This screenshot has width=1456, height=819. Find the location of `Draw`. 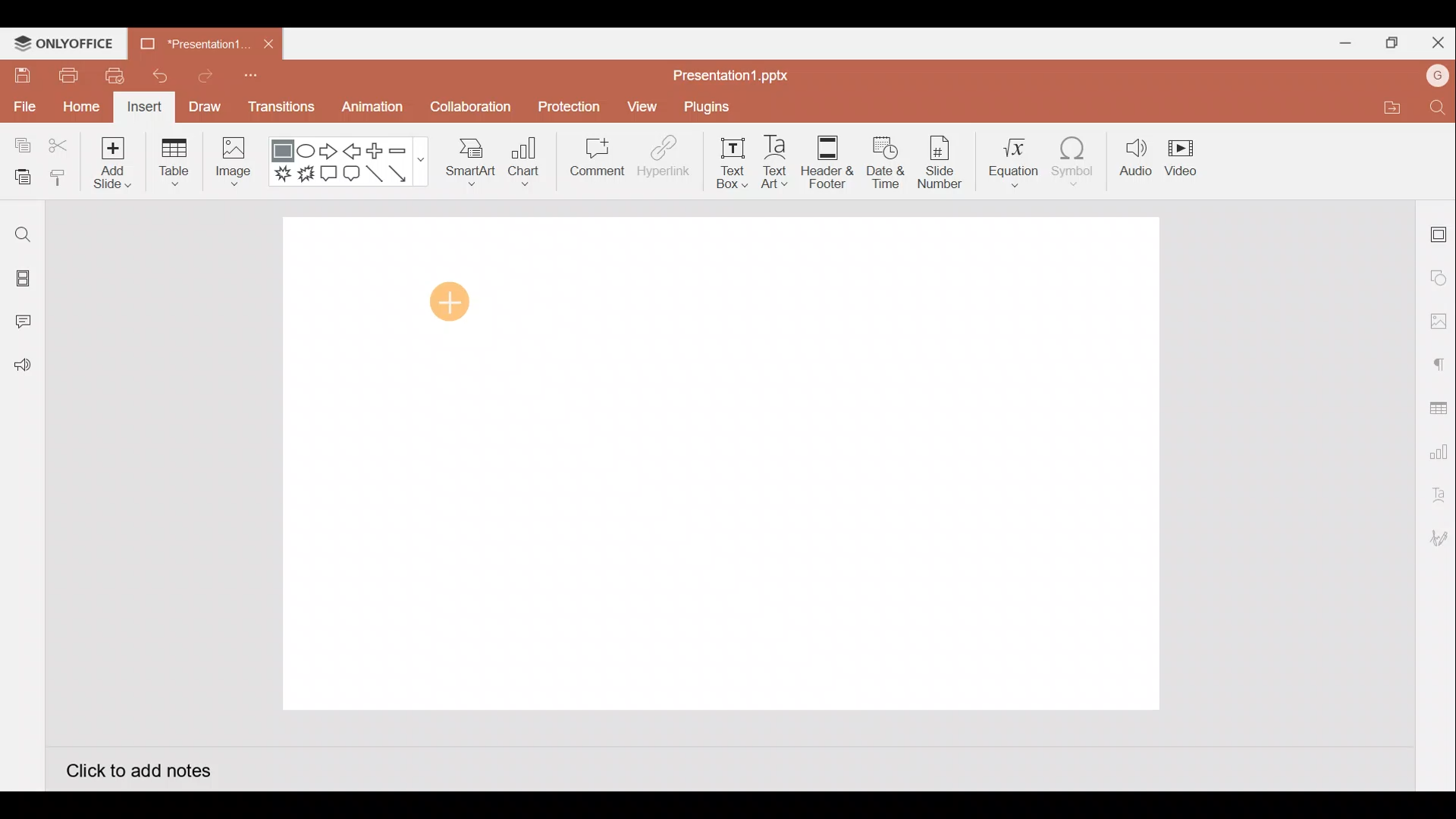

Draw is located at coordinates (204, 106).